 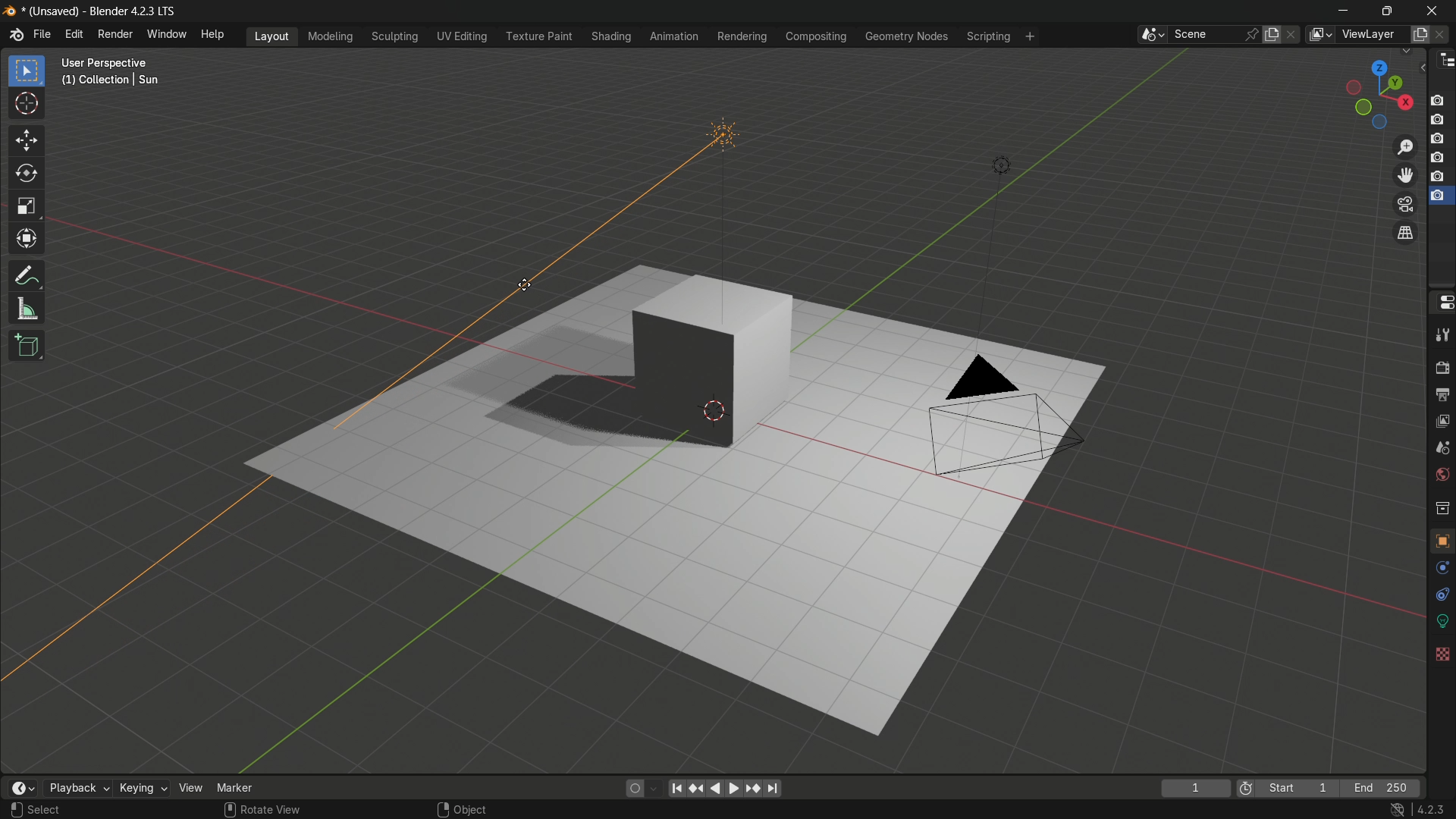 What do you see at coordinates (1385, 787) in the screenshot?
I see `end 250` at bounding box center [1385, 787].